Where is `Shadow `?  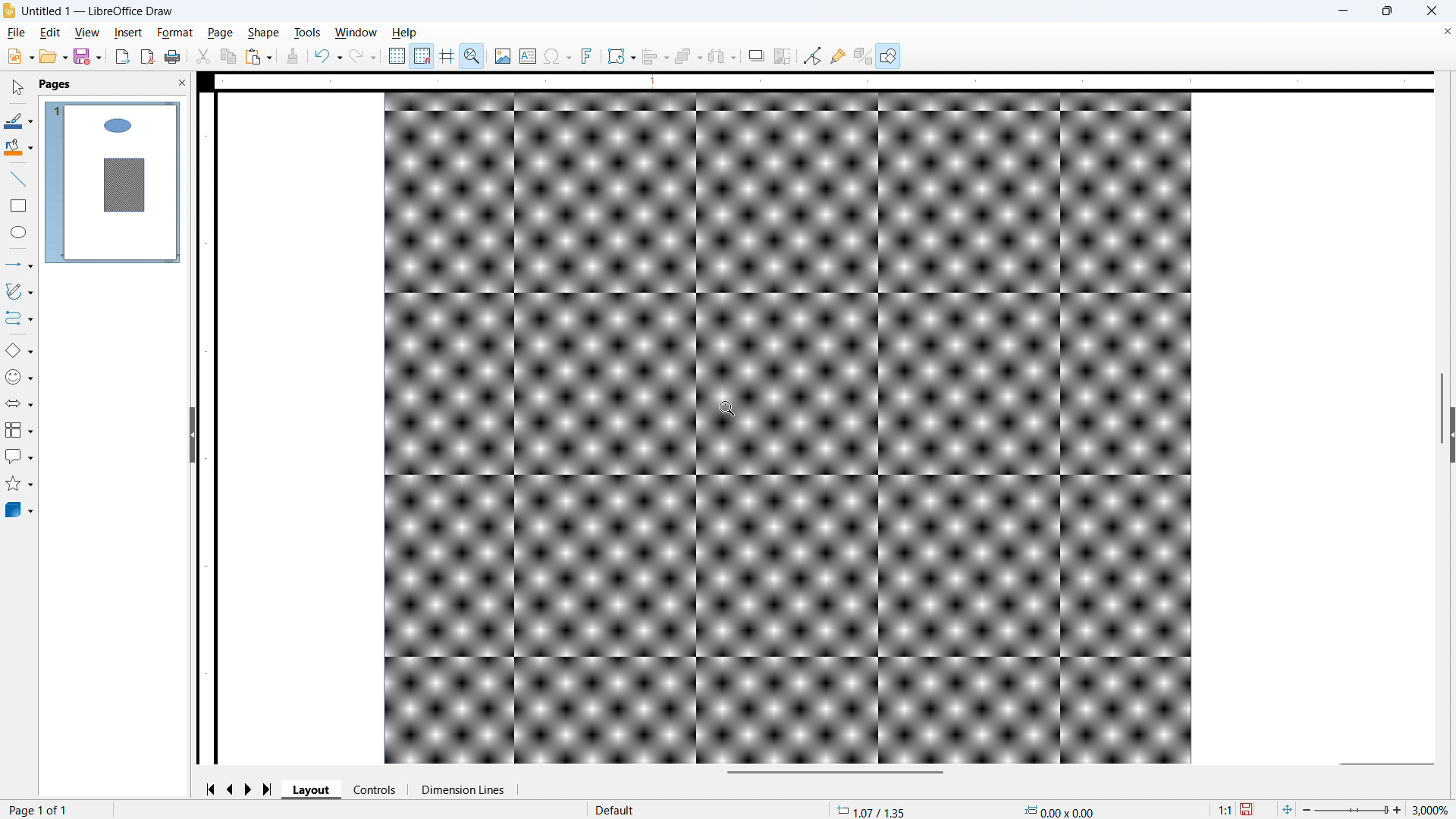
Shadow  is located at coordinates (756, 55).